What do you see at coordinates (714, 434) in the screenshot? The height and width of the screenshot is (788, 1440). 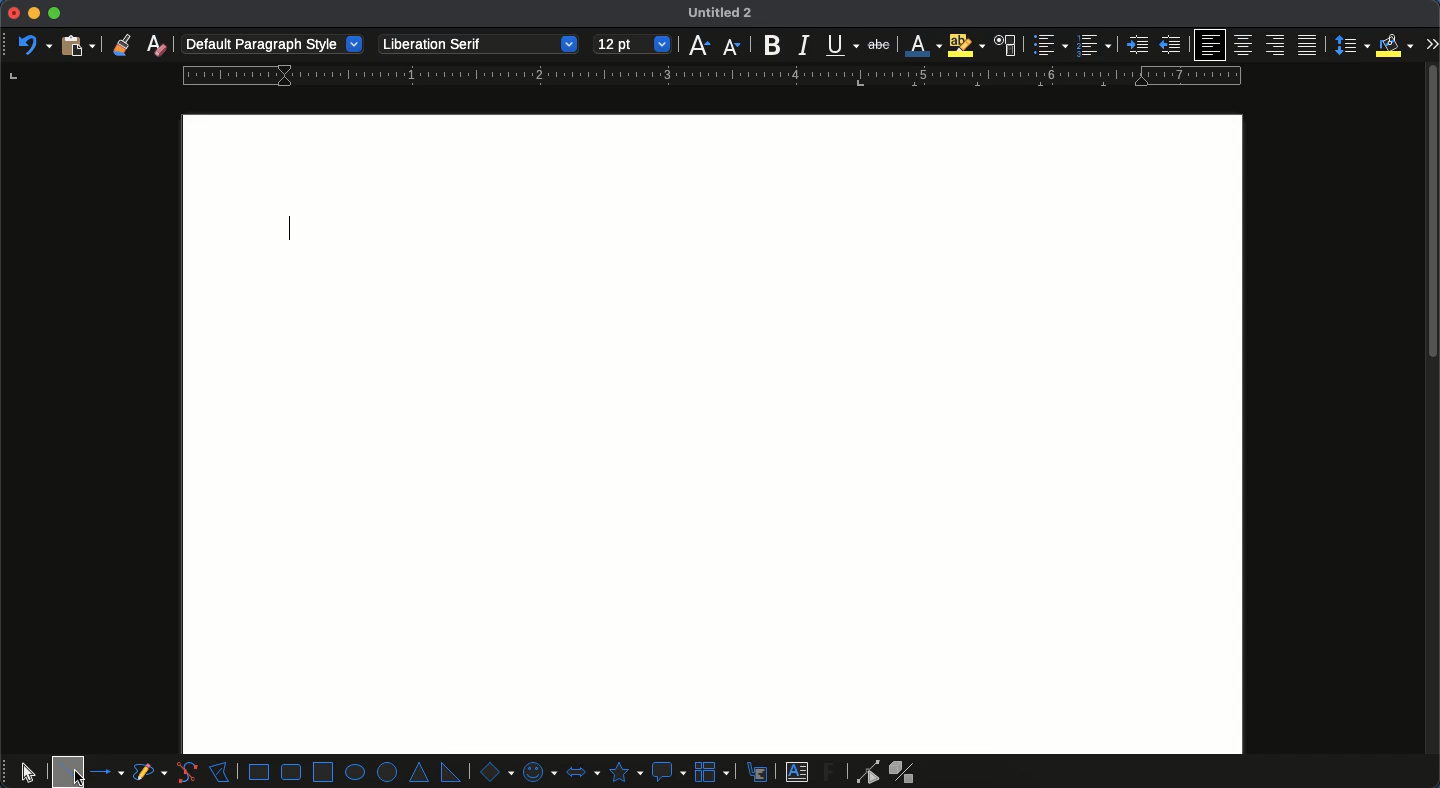 I see `page` at bounding box center [714, 434].